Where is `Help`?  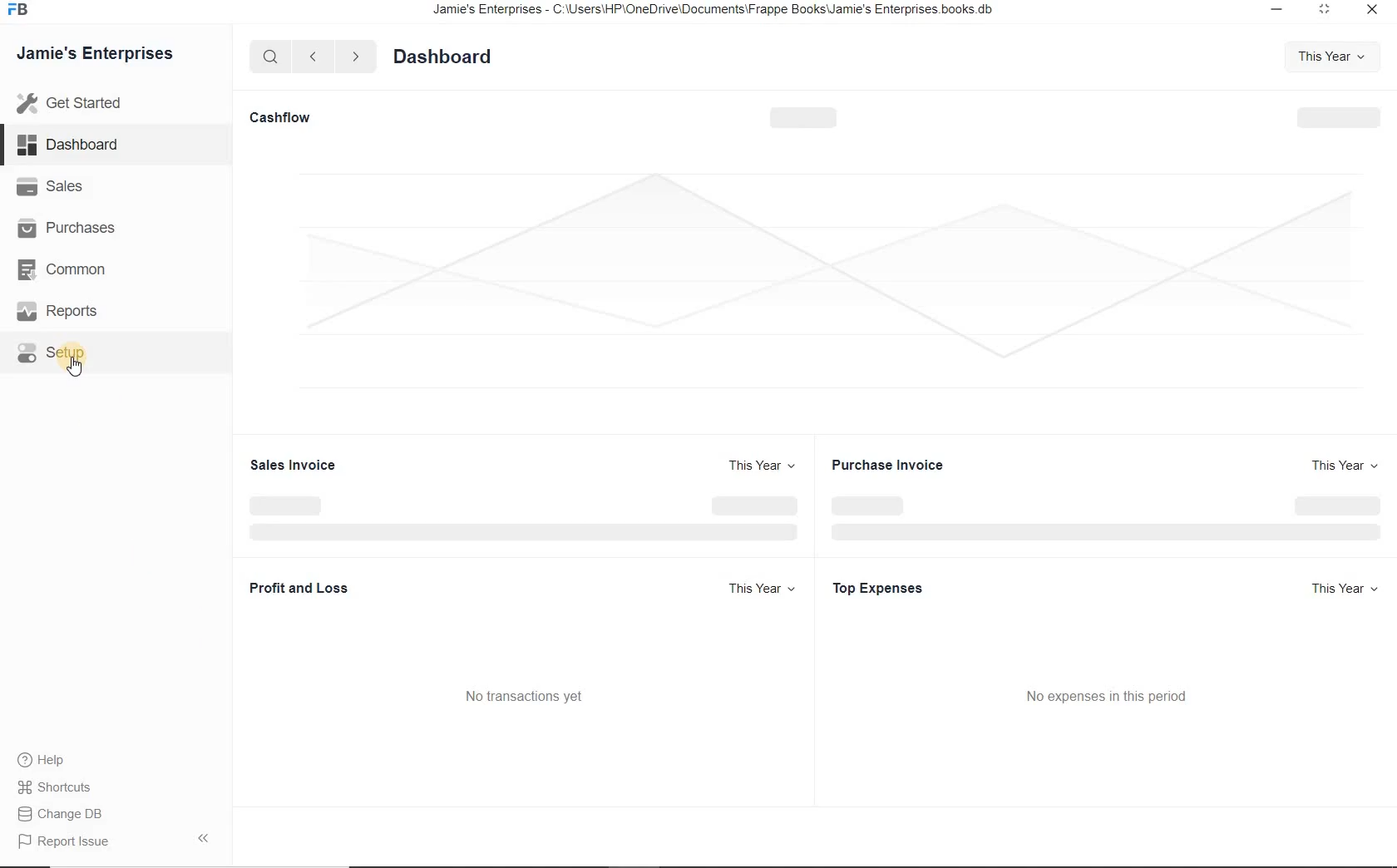
Help is located at coordinates (50, 762).